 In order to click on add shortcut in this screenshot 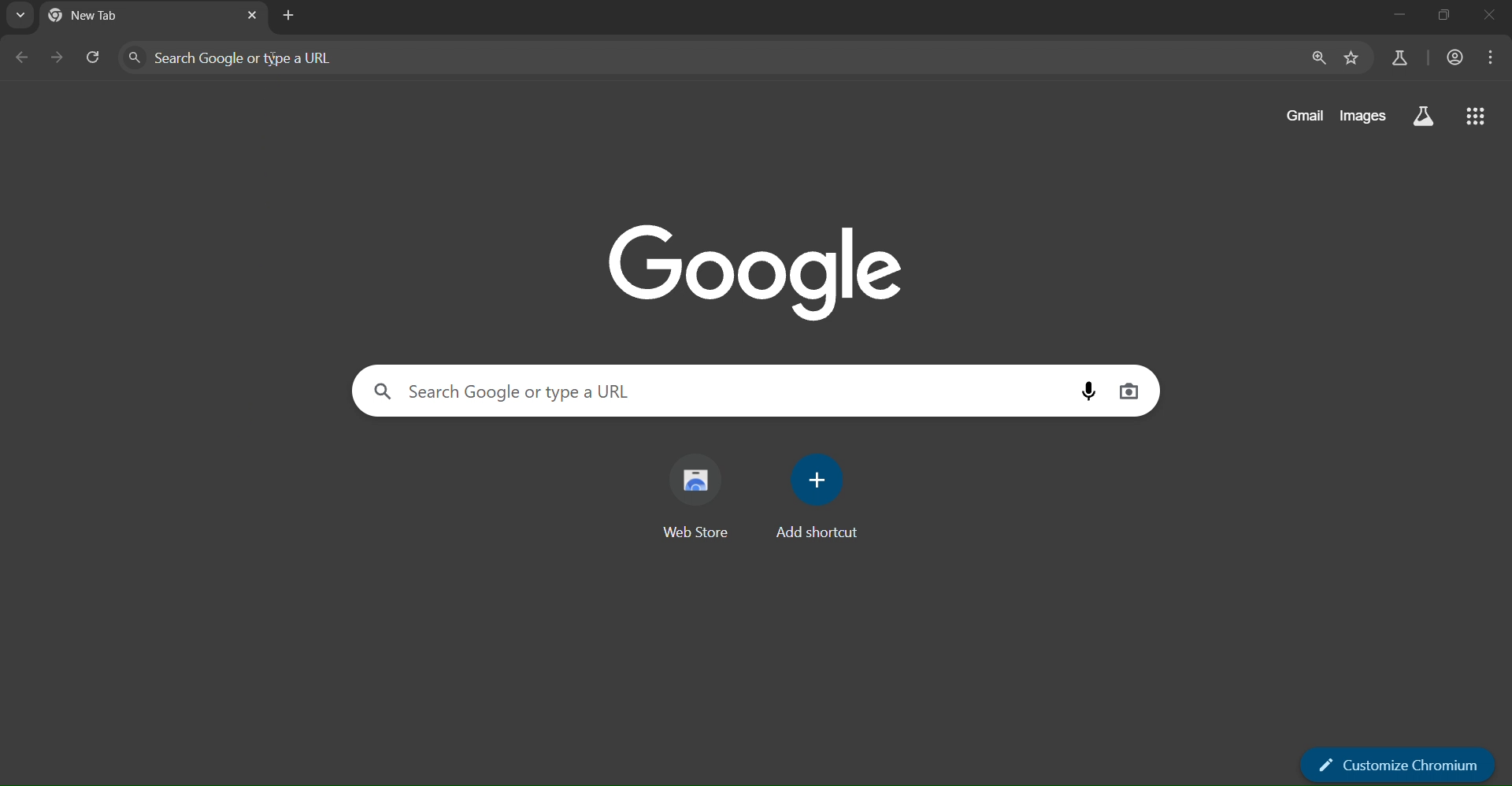, I will do `click(821, 502)`.